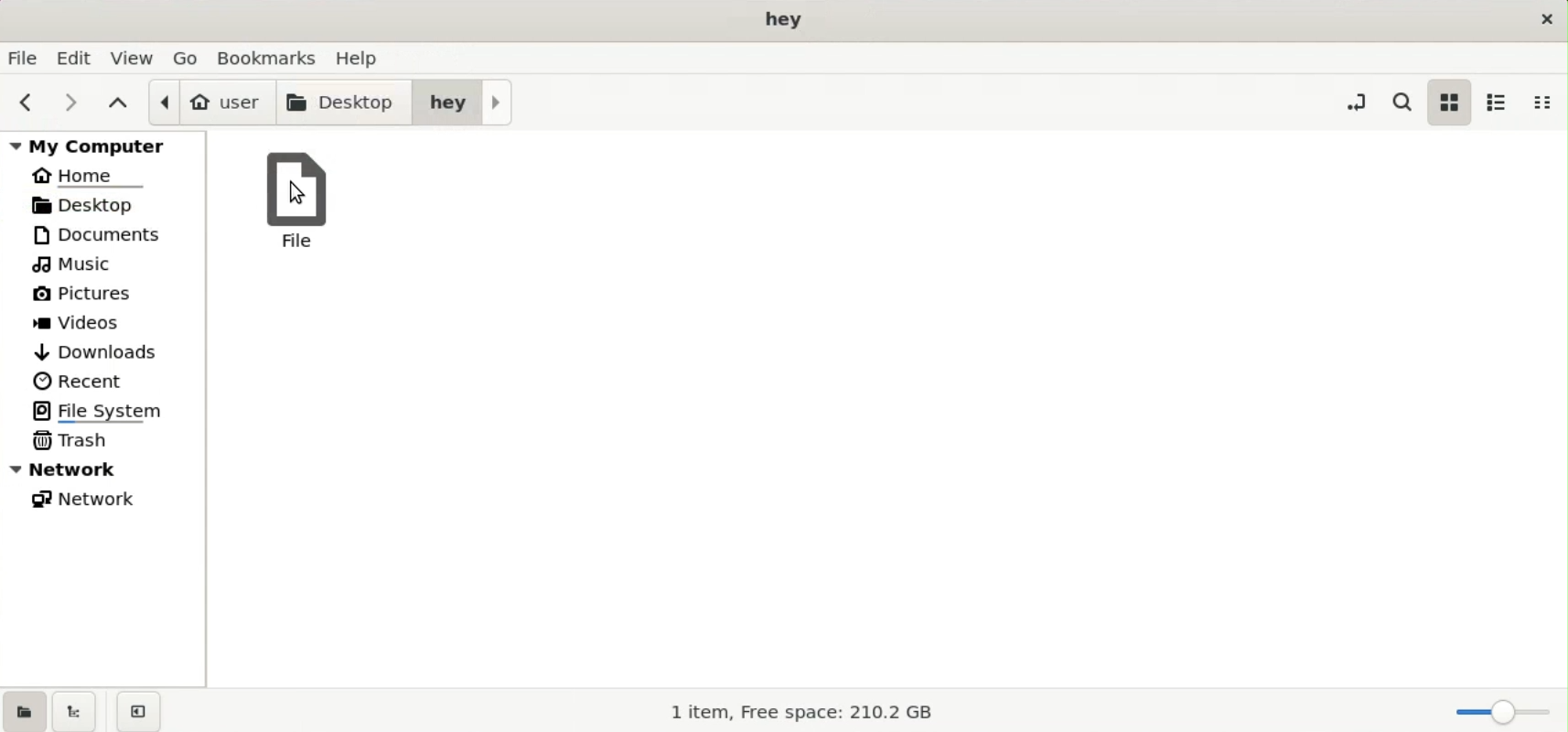 Image resolution: width=1568 pixels, height=732 pixels. Describe the element at coordinates (1448, 102) in the screenshot. I see `icon view` at that location.